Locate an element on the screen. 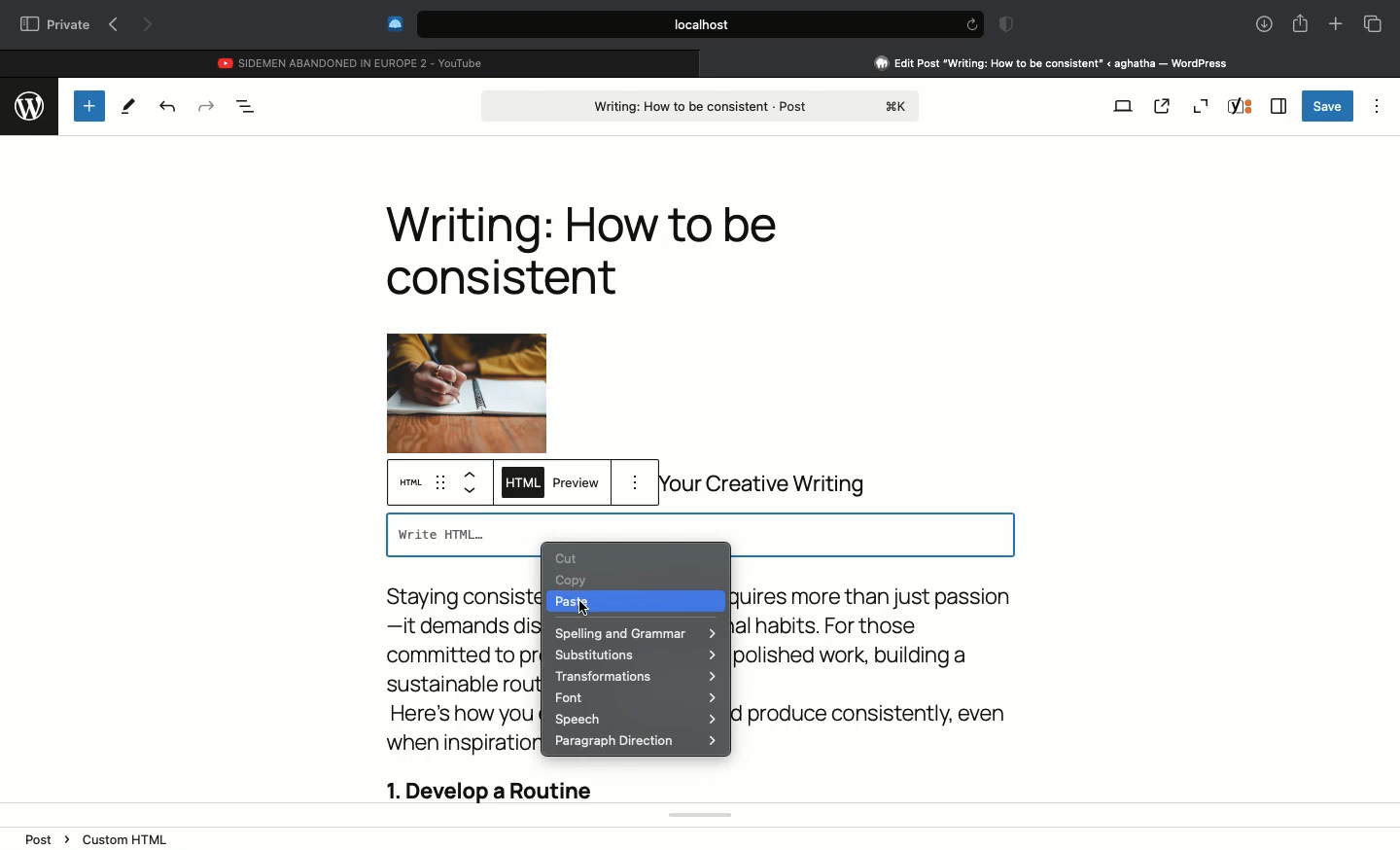 This screenshot has height=850, width=1400. wordpress is located at coordinates (28, 103).